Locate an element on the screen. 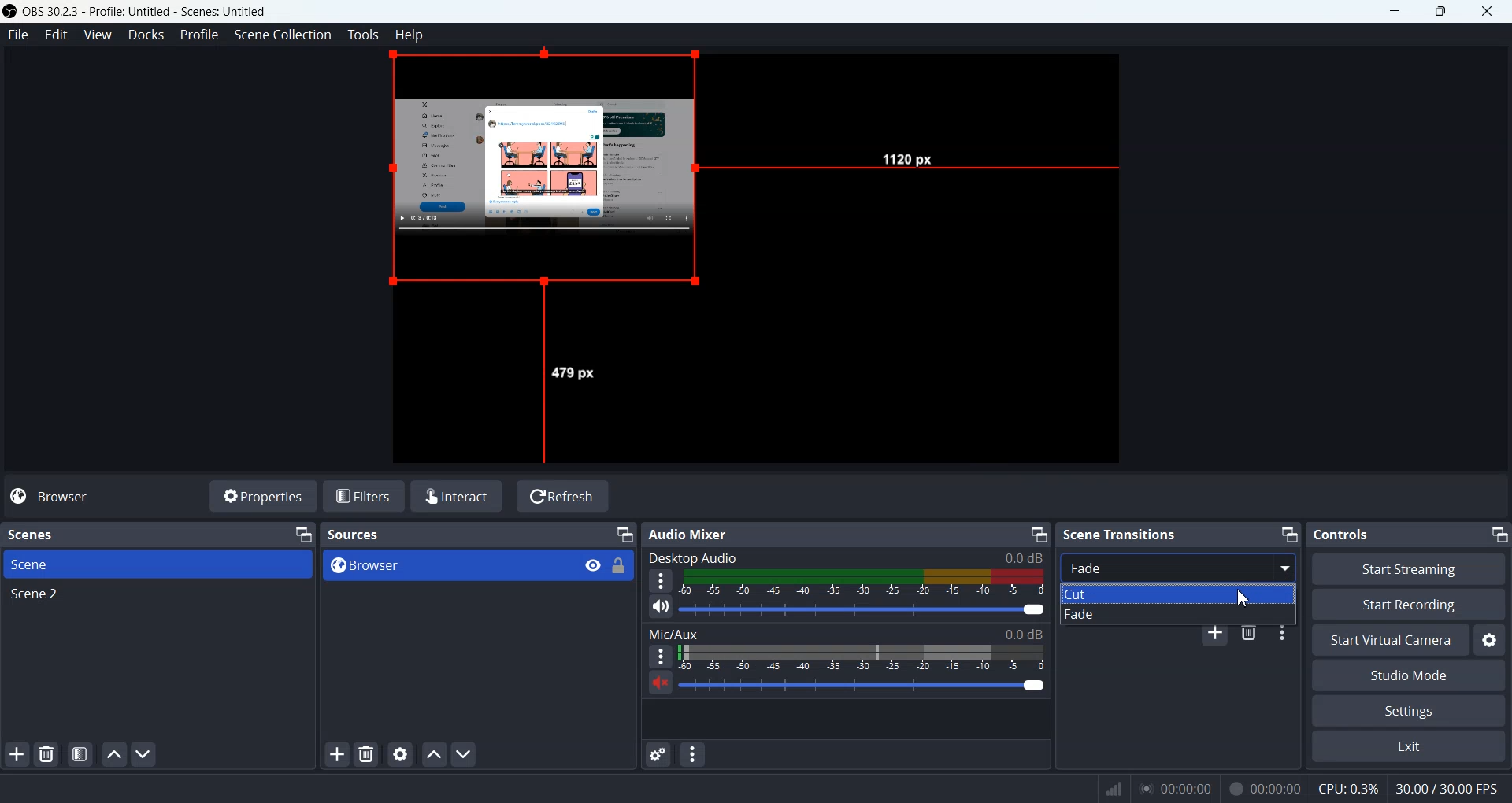 The height and width of the screenshot is (803, 1512). Browser is located at coordinates (63, 498).